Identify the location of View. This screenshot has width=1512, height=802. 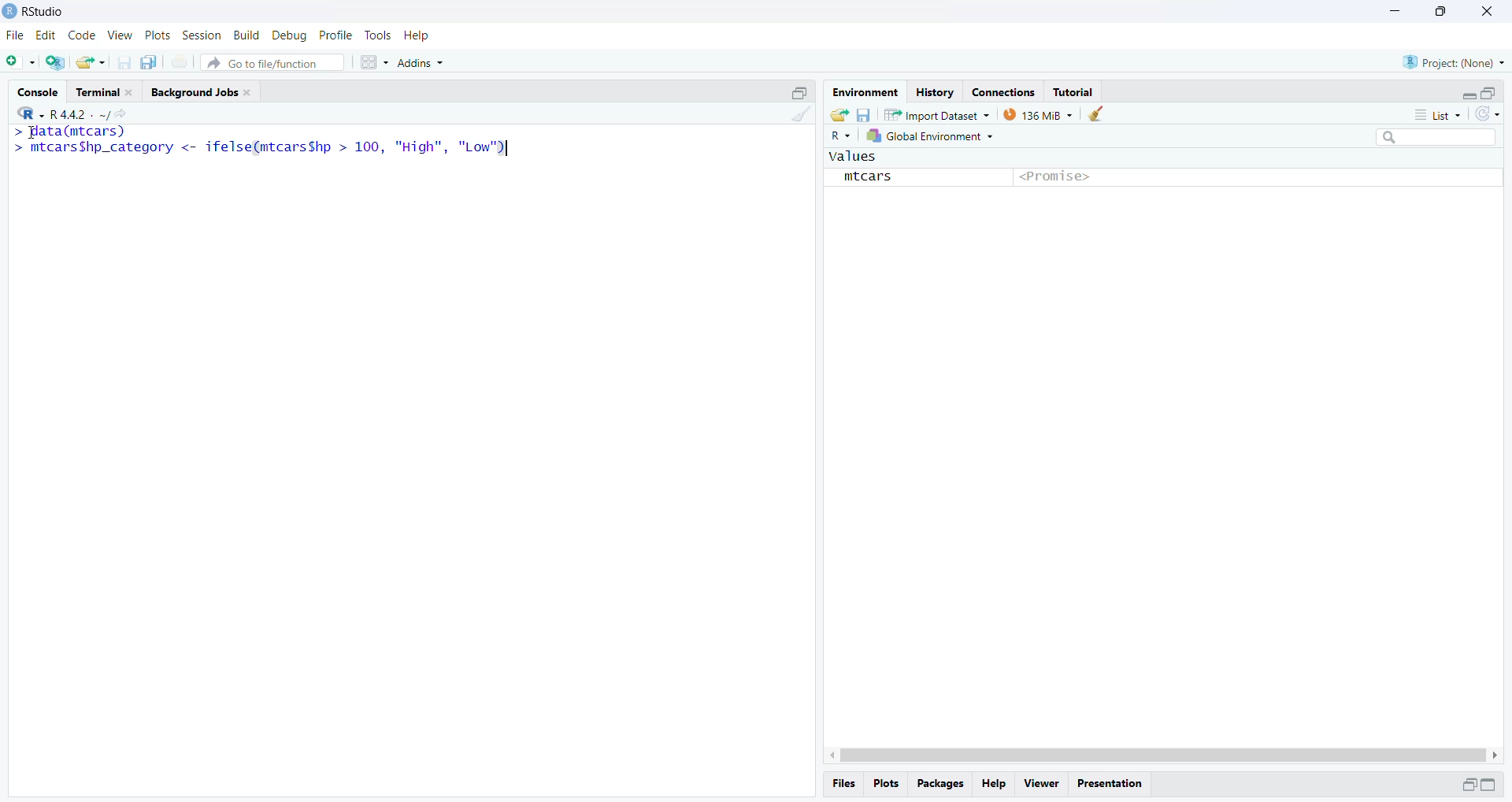
(1040, 782).